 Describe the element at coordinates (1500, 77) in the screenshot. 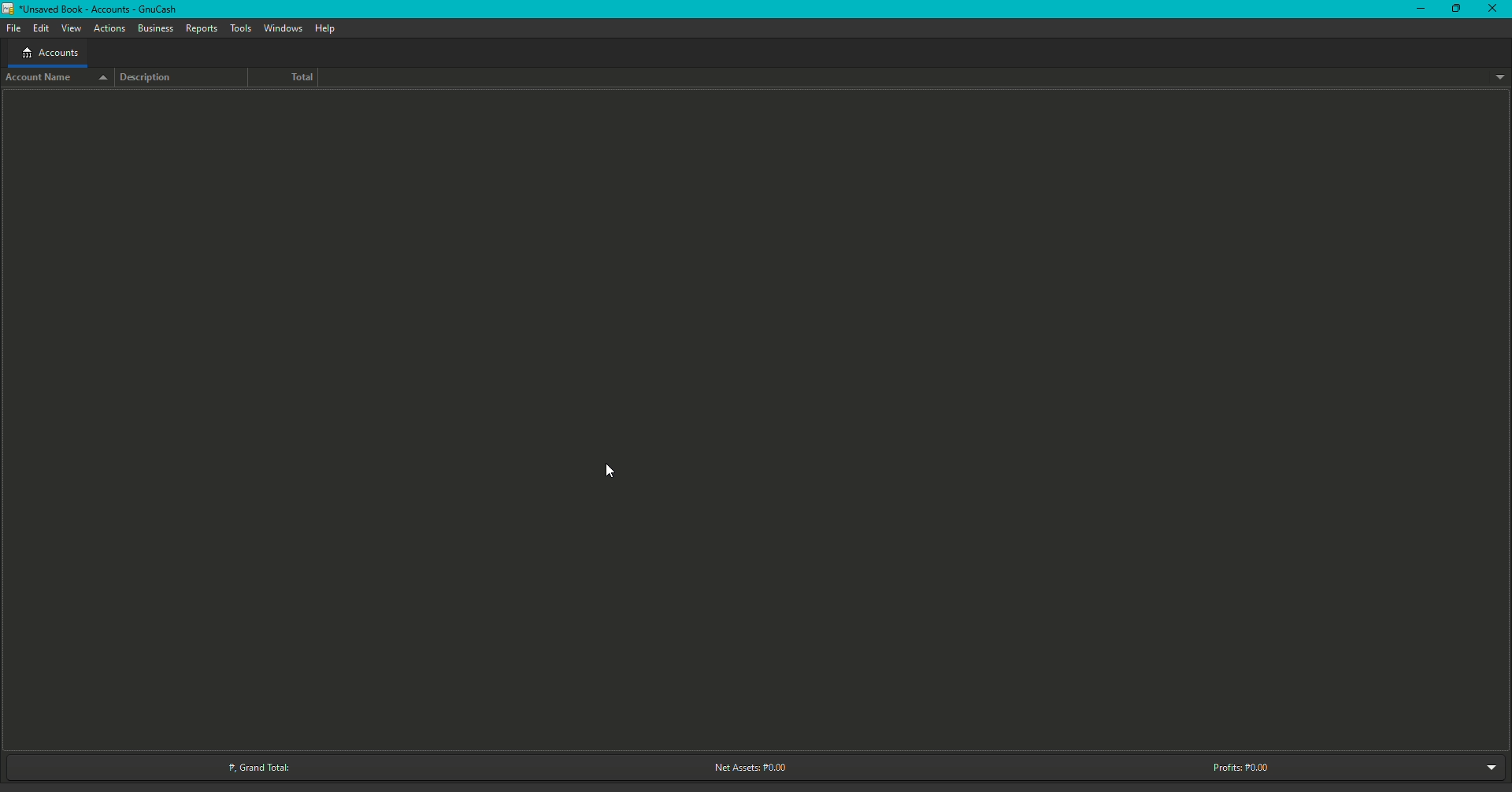

I see `Drop down` at that location.